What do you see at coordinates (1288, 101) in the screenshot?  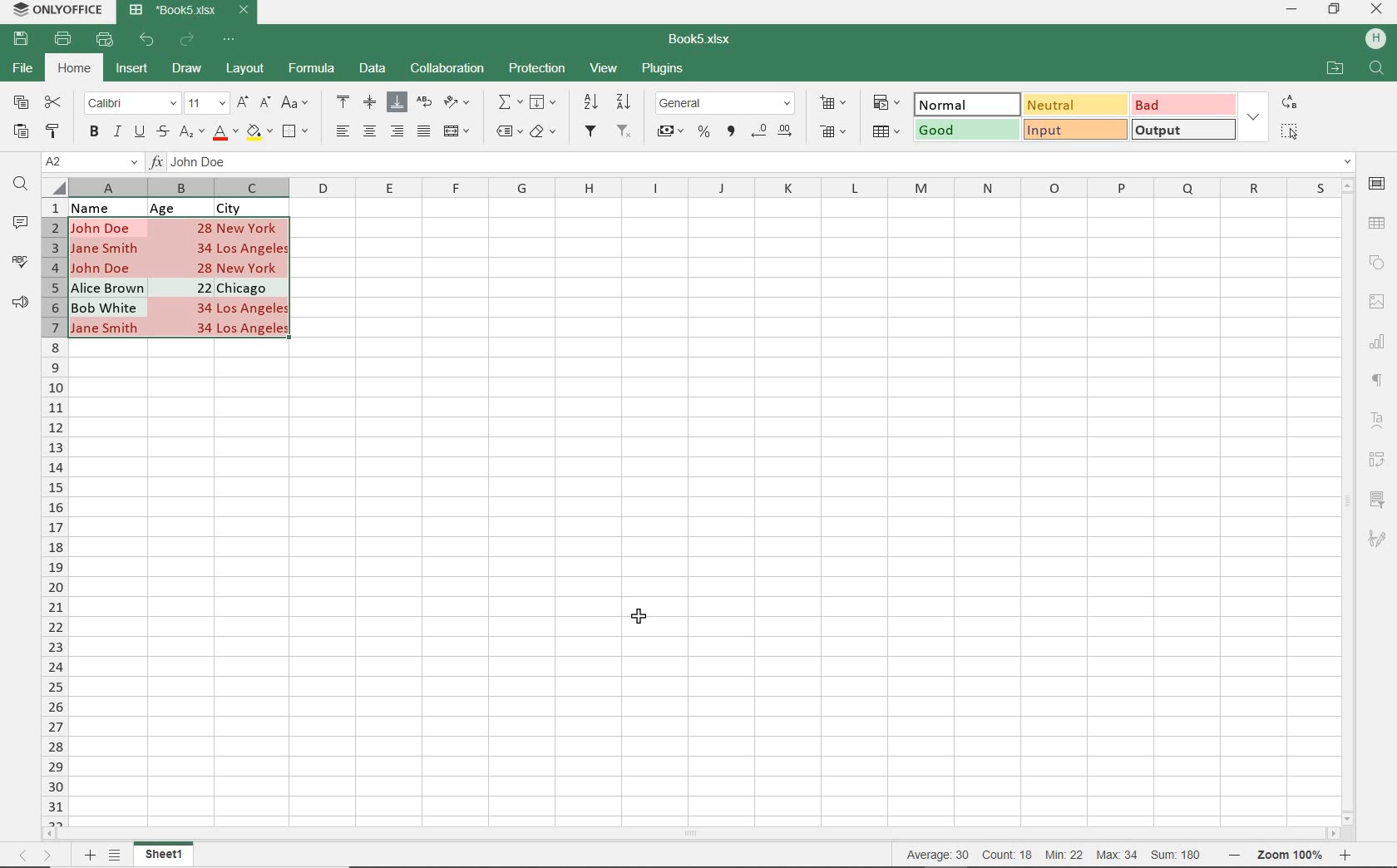 I see `REPLACE` at bounding box center [1288, 101].